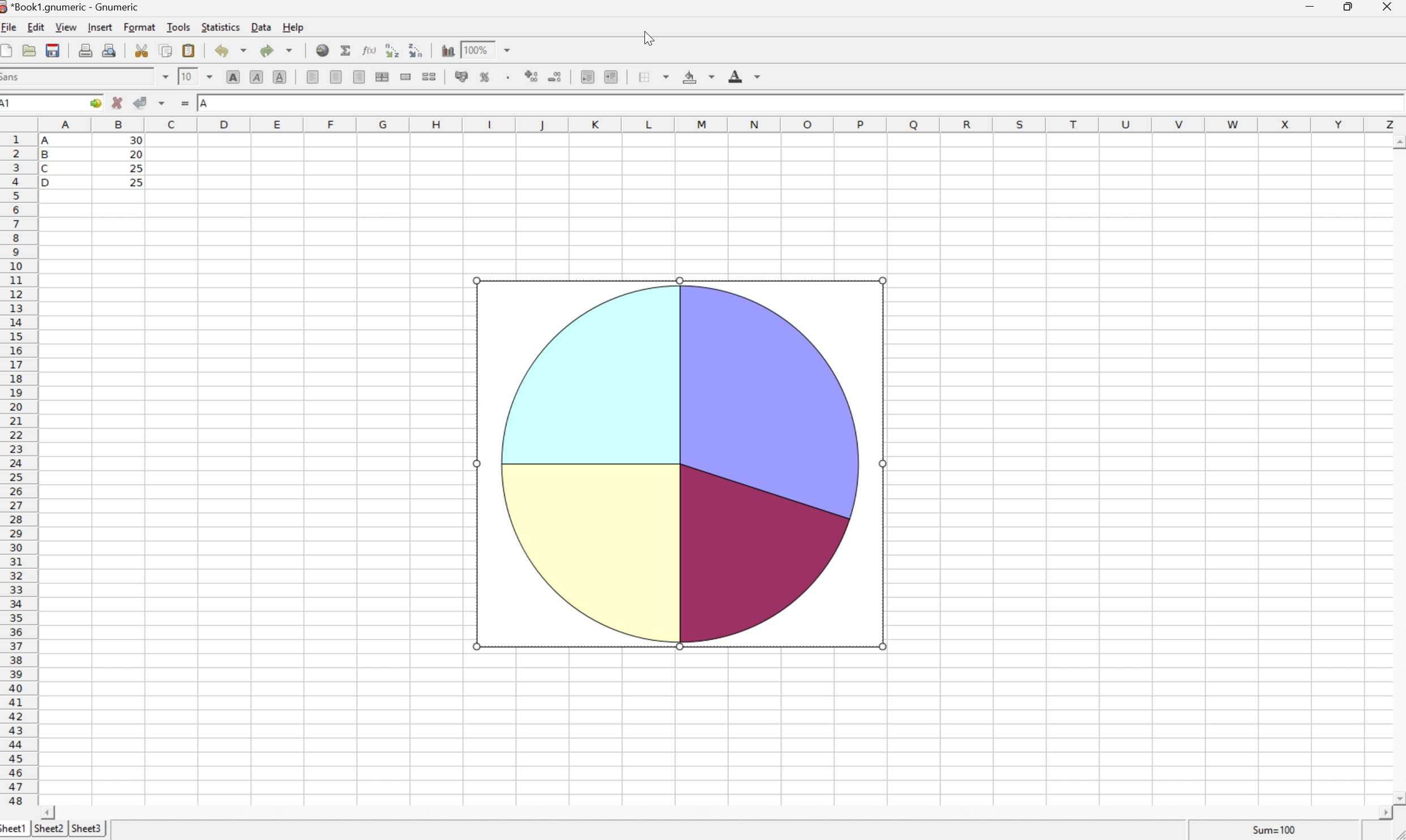  What do you see at coordinates (48, 169) in the screenshot?
I see `C` at bounding box center [48, 169].